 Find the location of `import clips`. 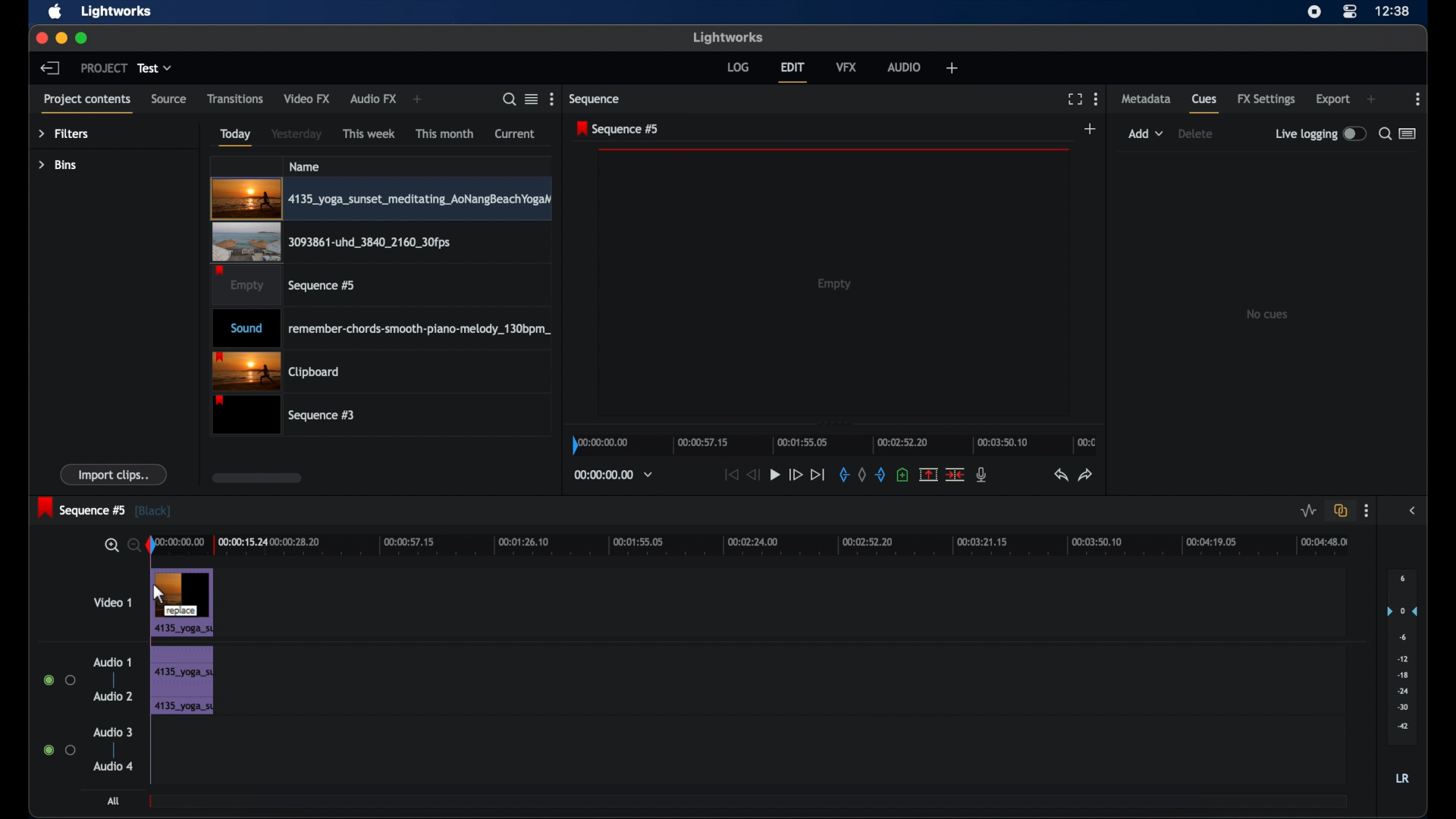

import clips is located at coordinates (113, 475).